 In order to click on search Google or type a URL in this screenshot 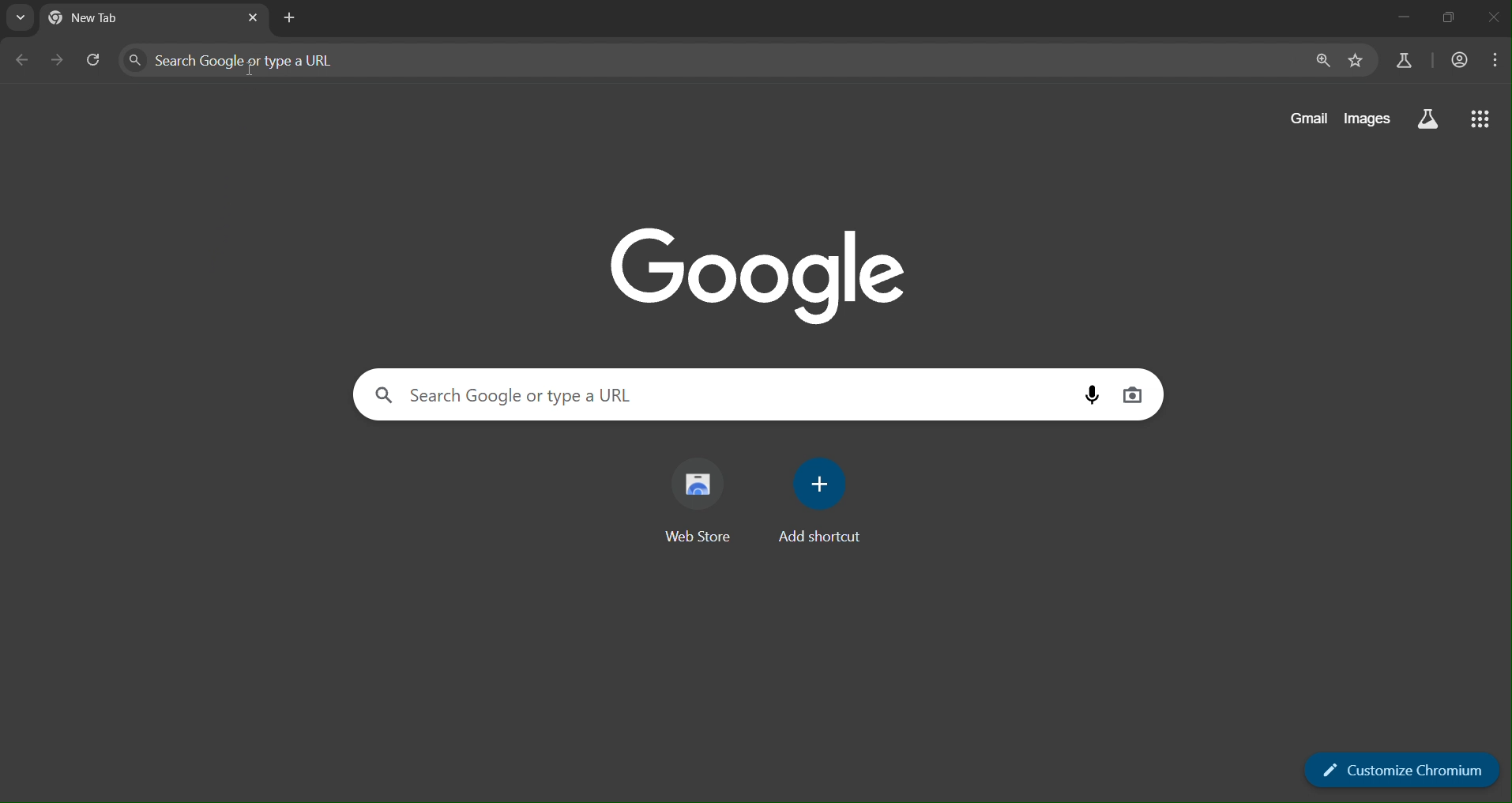, I will do `click(581, 393)`.